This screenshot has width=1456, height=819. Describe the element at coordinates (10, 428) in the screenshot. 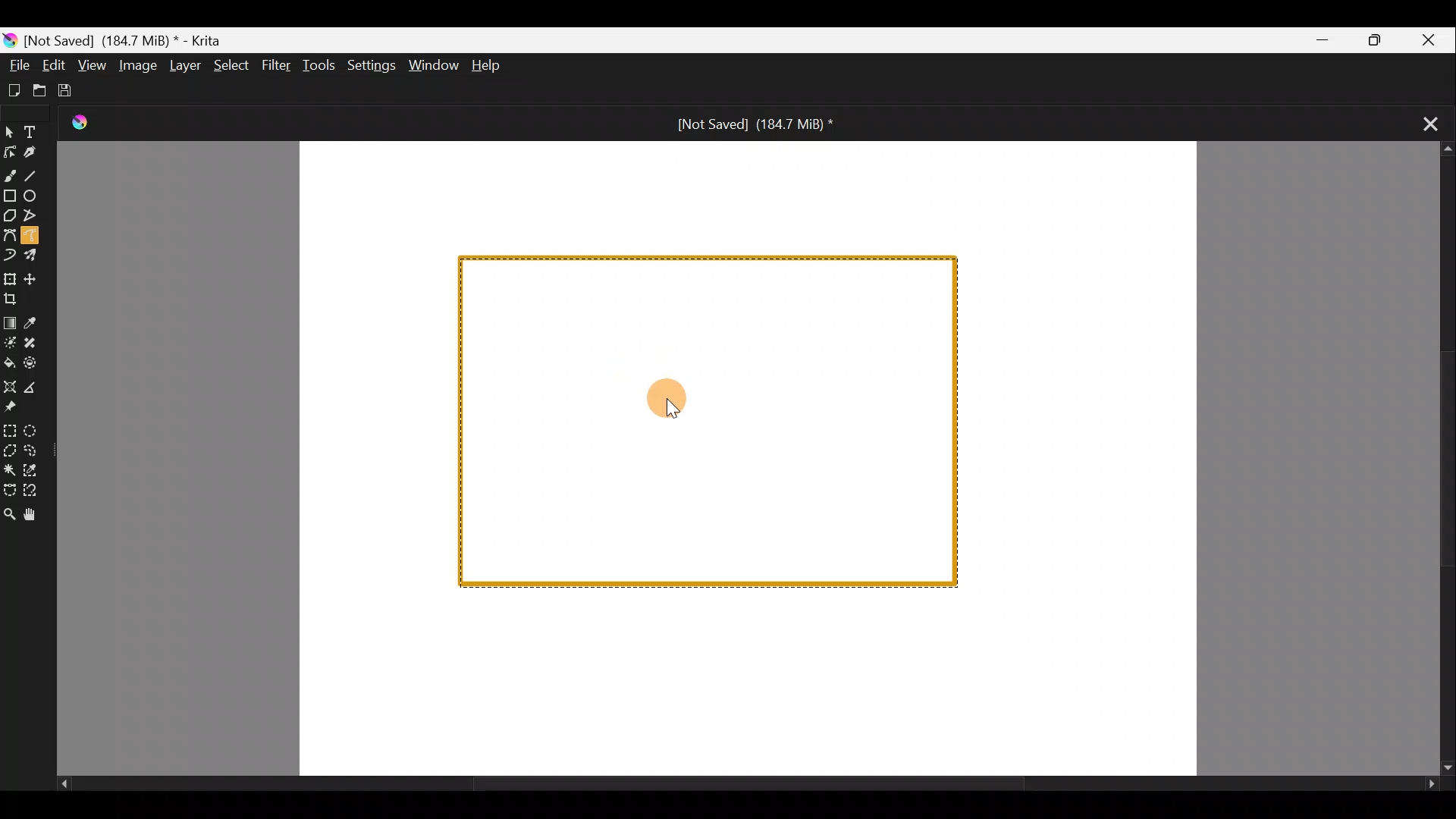

I see `Rectangular selection tool` at that location.